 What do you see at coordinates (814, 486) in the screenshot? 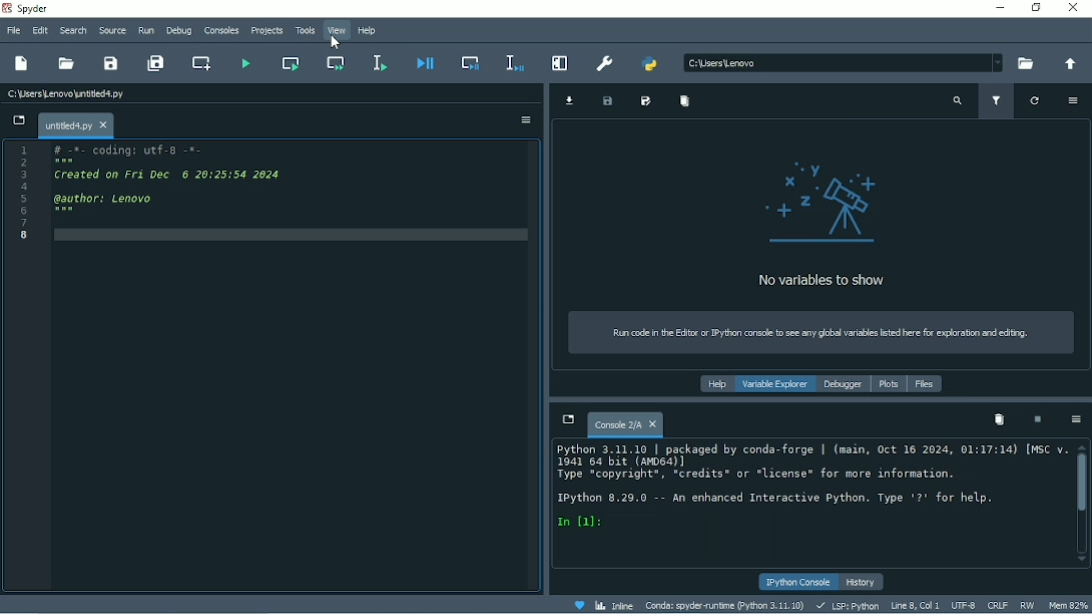
I see `Console` at bounding box center [814, 486].